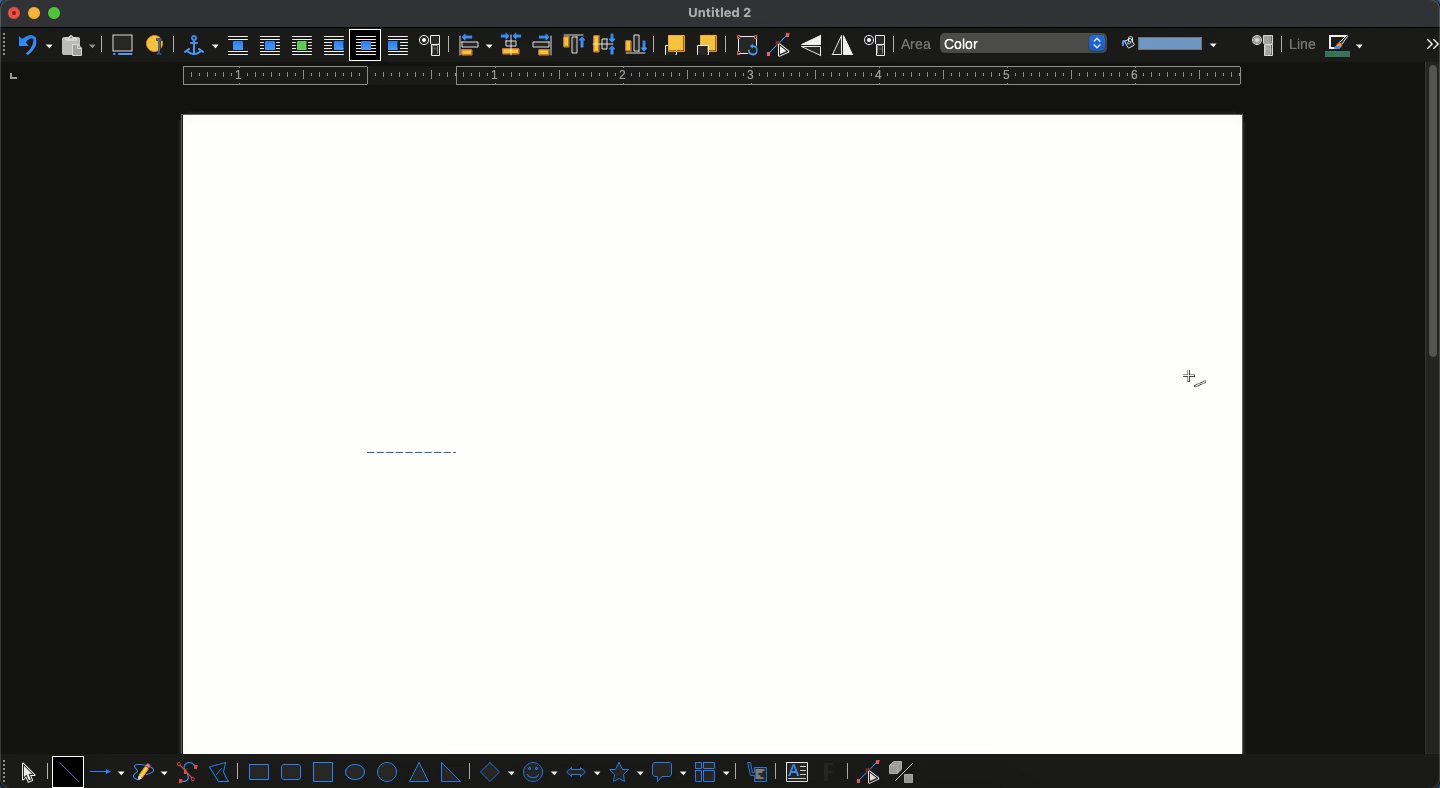  What do you see at coordinates (150, 773) in the screenshot?
I see `curves and polygons` at bounding box center [150, 773].